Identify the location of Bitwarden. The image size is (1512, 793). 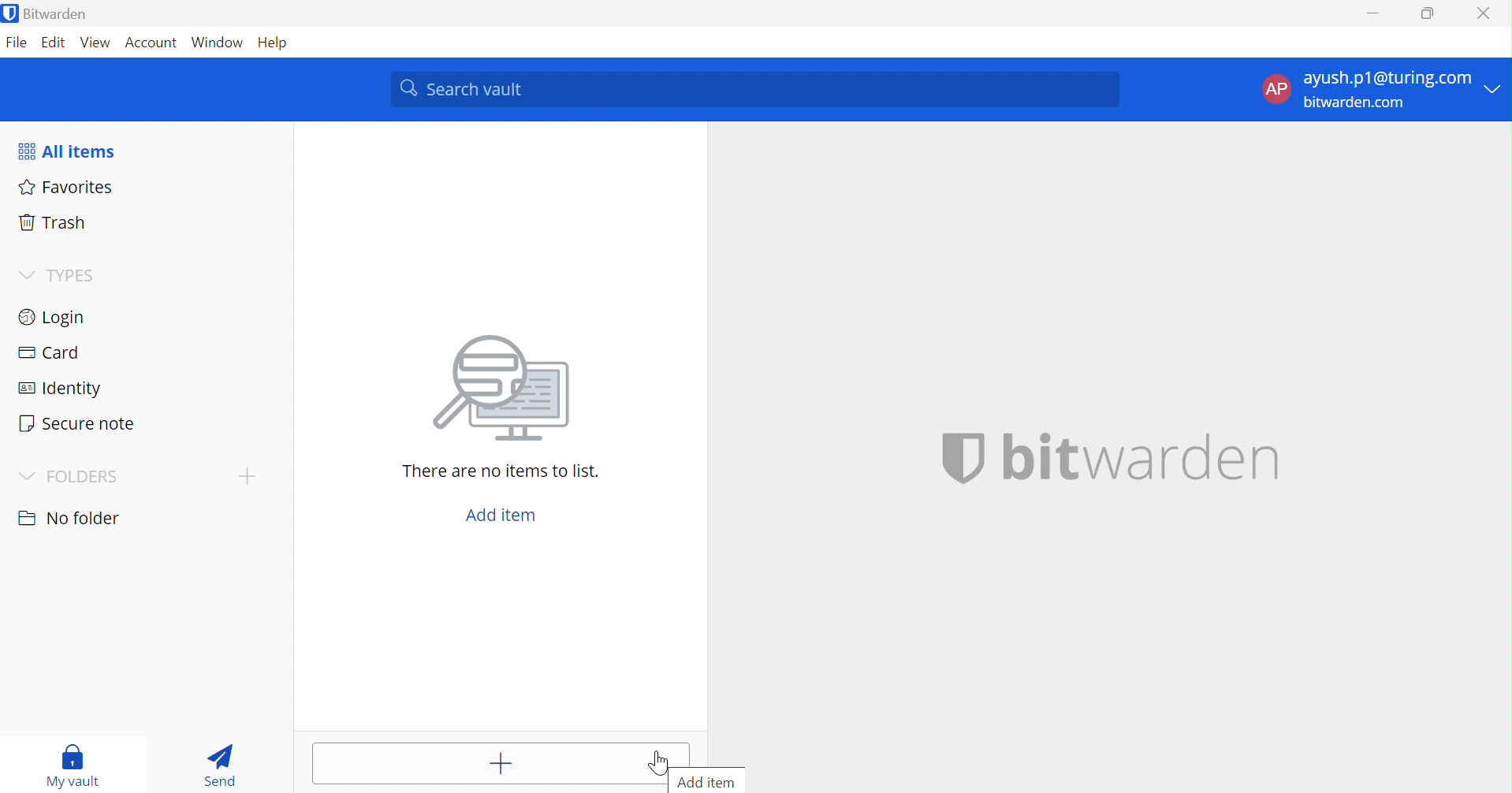
(48, 13).